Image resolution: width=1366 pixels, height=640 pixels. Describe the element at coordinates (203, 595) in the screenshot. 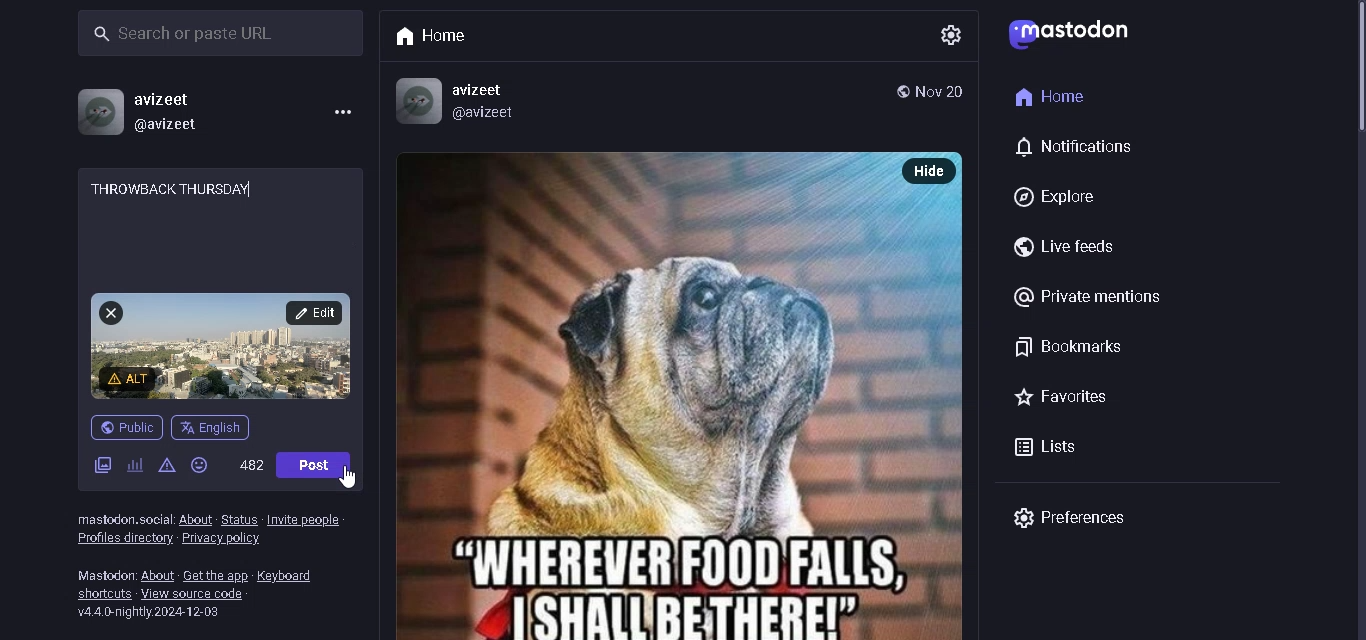

I see `view source code` at that location.